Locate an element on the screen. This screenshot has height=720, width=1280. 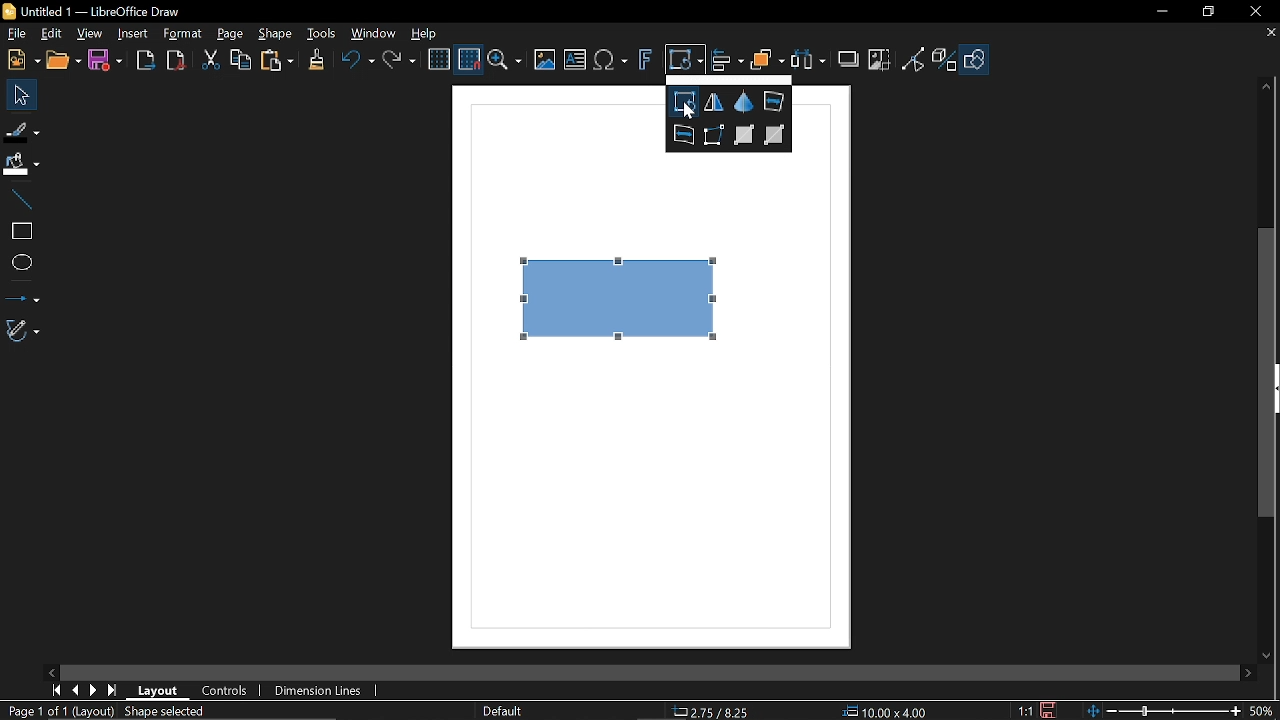
Cursor is located at coordinates (690, 111).